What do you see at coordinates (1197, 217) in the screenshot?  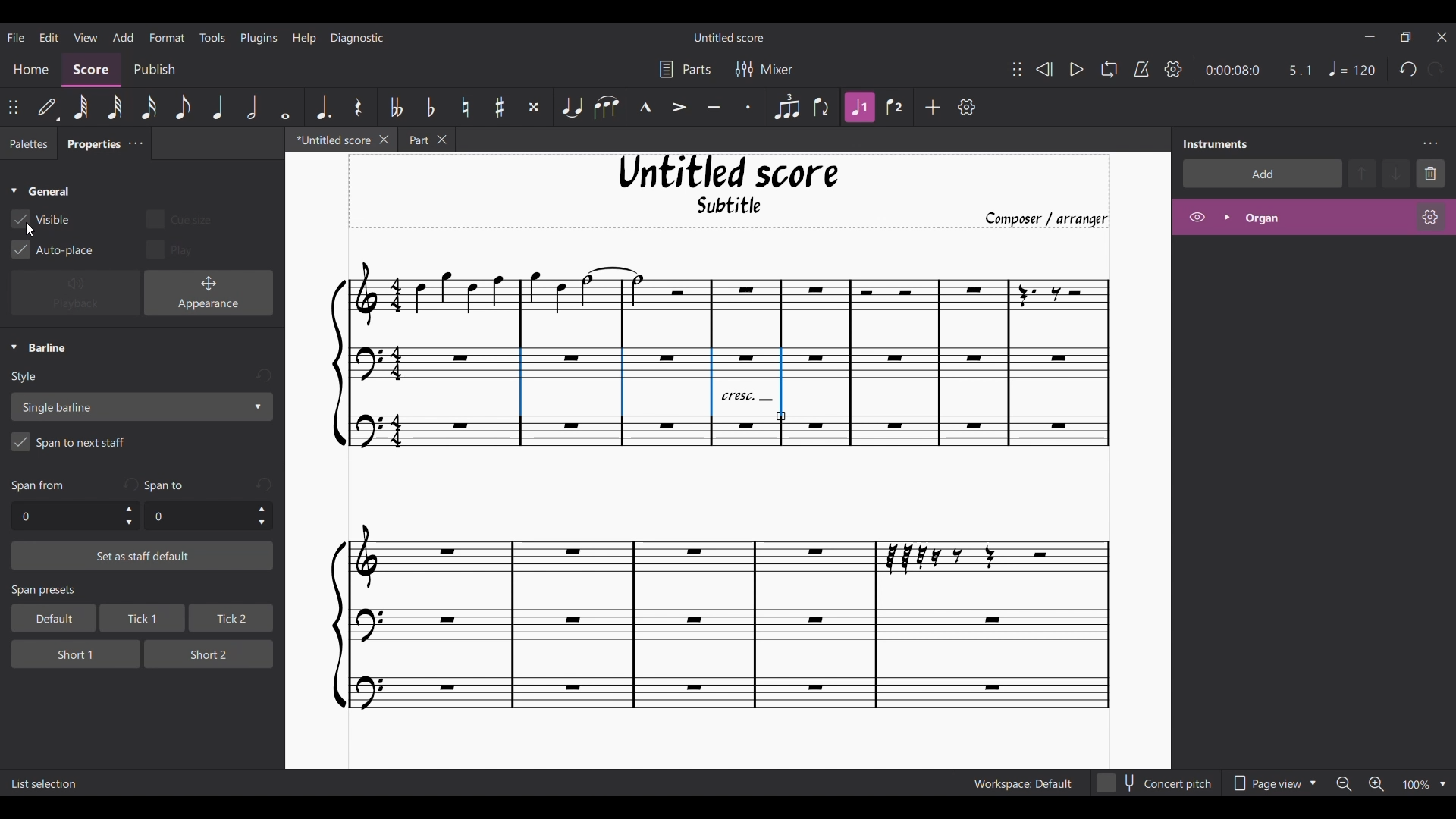 I see `Hide Organ` at bounding box center [1197, 217].